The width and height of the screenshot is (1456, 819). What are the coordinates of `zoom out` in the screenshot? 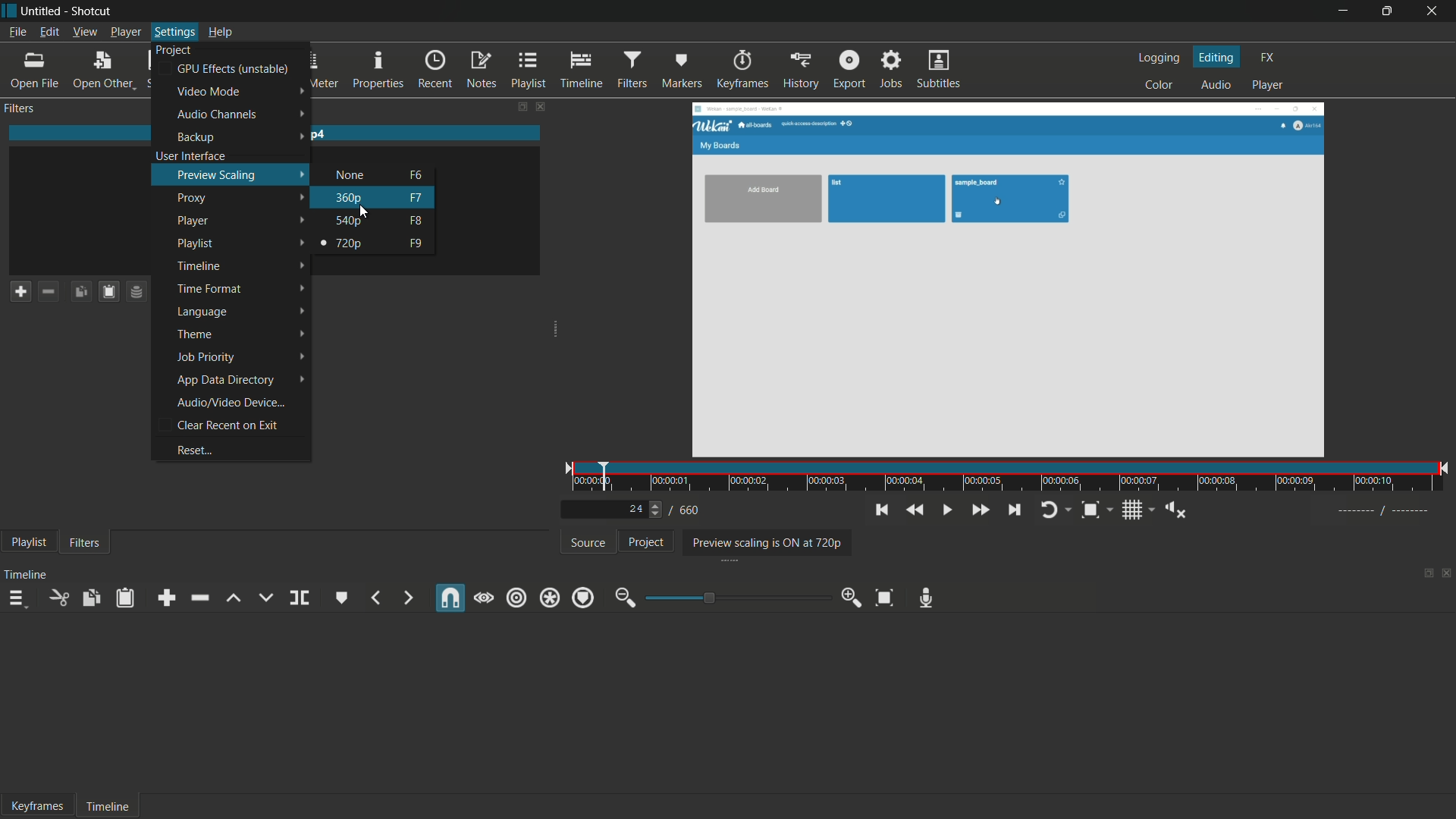 It's located at (623, 599).